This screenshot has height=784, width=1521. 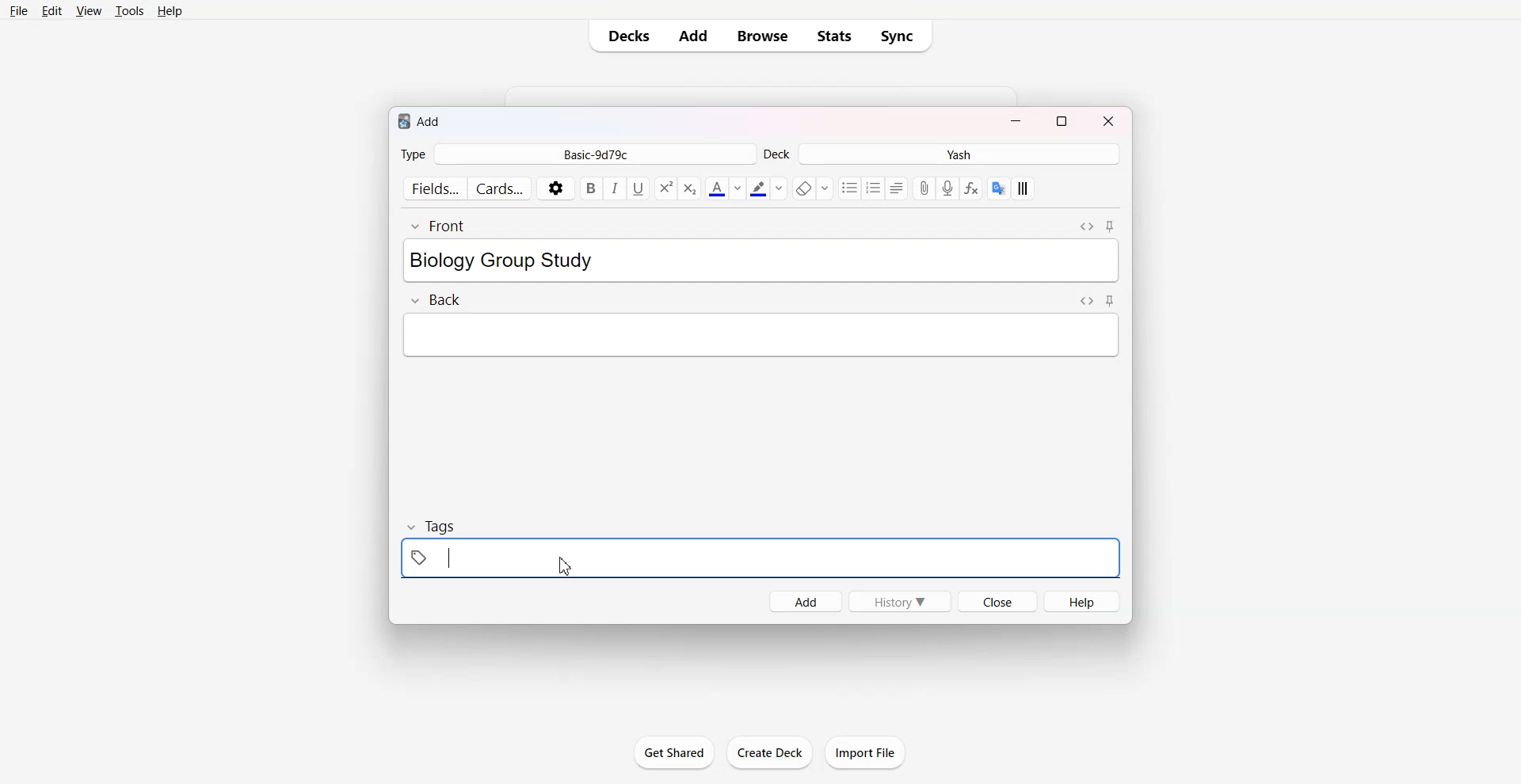 I want to click on Toggle Sticky, so click(x=1110, y=300).